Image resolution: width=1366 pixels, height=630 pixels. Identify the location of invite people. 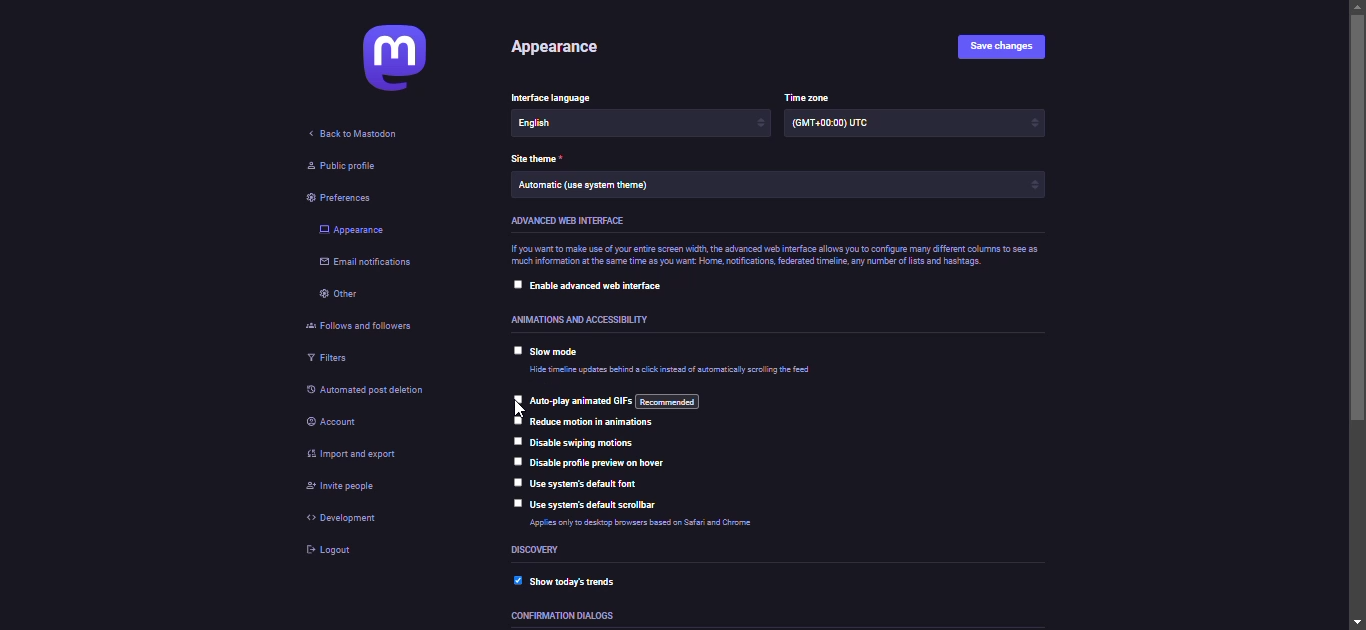
(345, 487).